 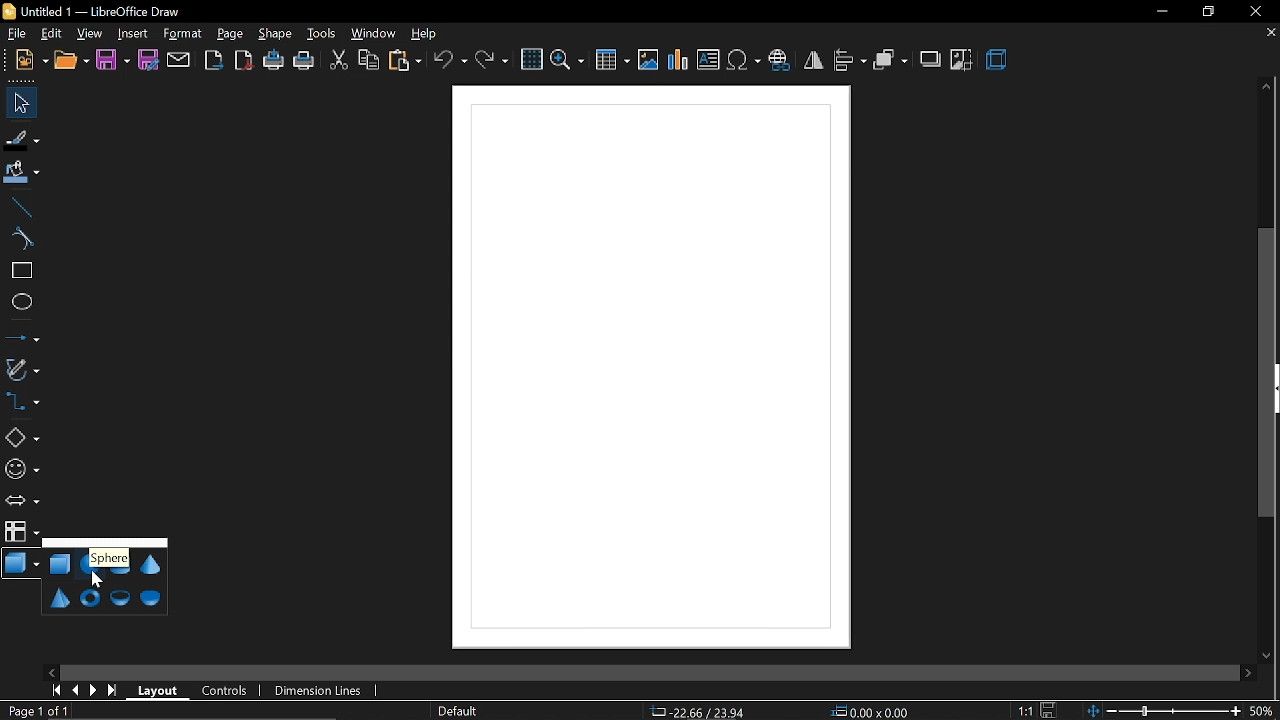 I want to click on format, so click(x=183, y=33).